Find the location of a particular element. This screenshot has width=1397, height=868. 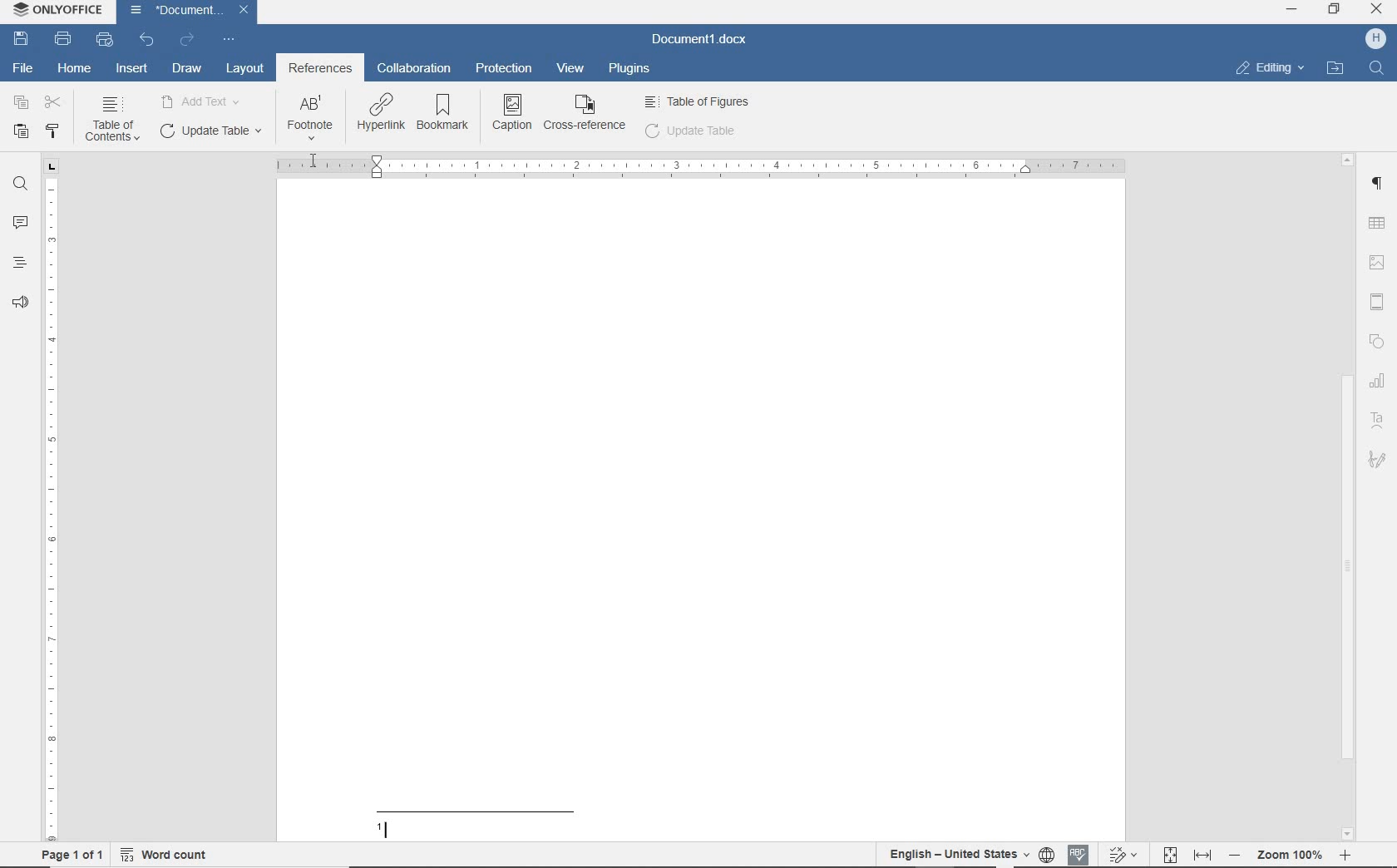

ruler is located at coordinates (52, 502).